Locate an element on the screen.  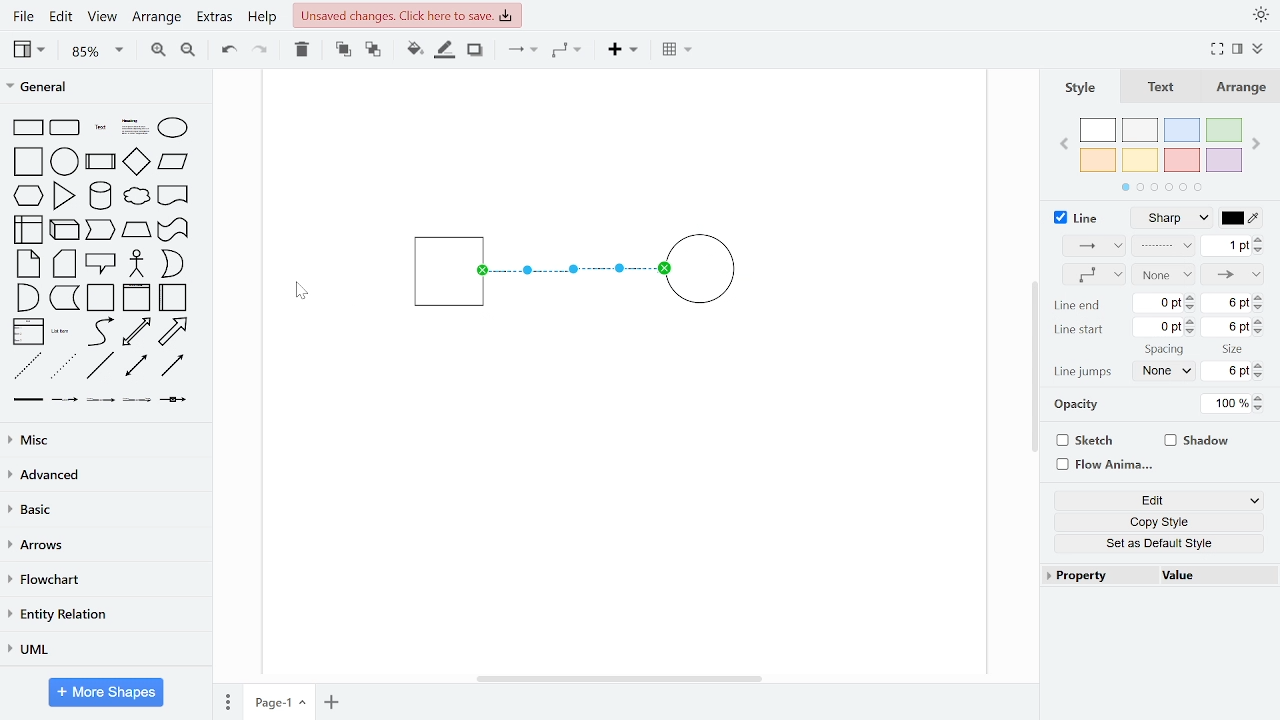
redo is located at coordinates (261, 49).